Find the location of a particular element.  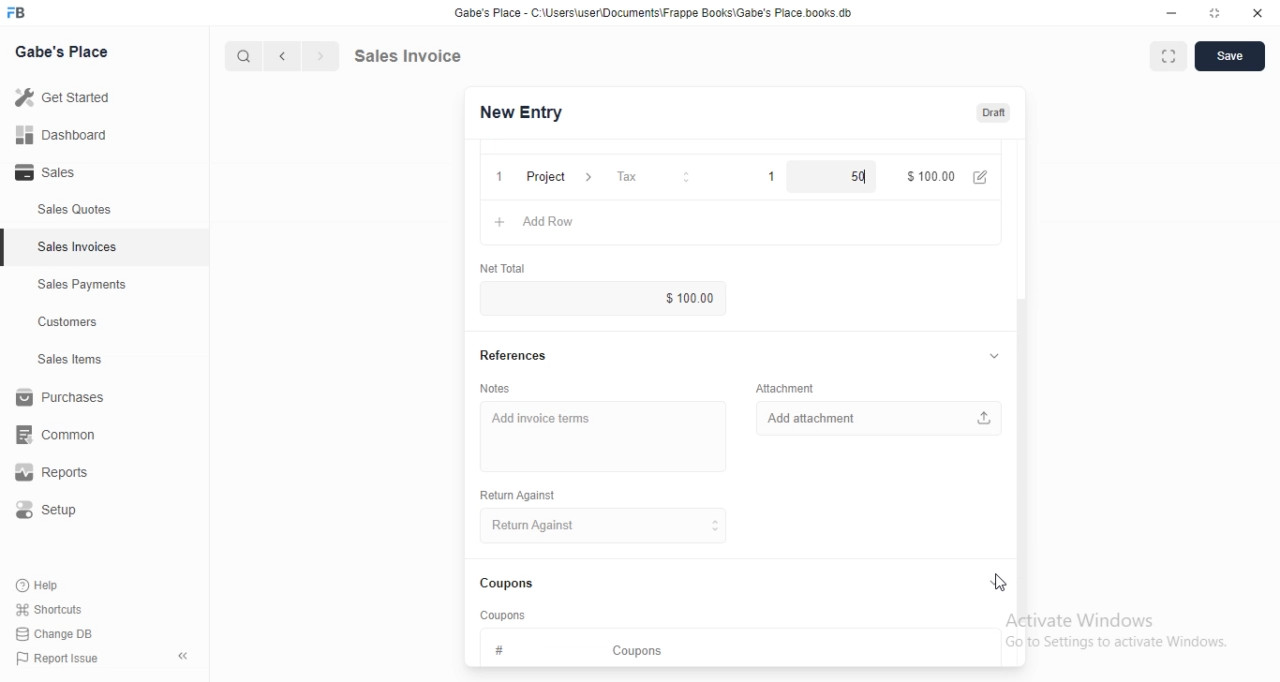

$100.00 is located at coordinates (930, 175).